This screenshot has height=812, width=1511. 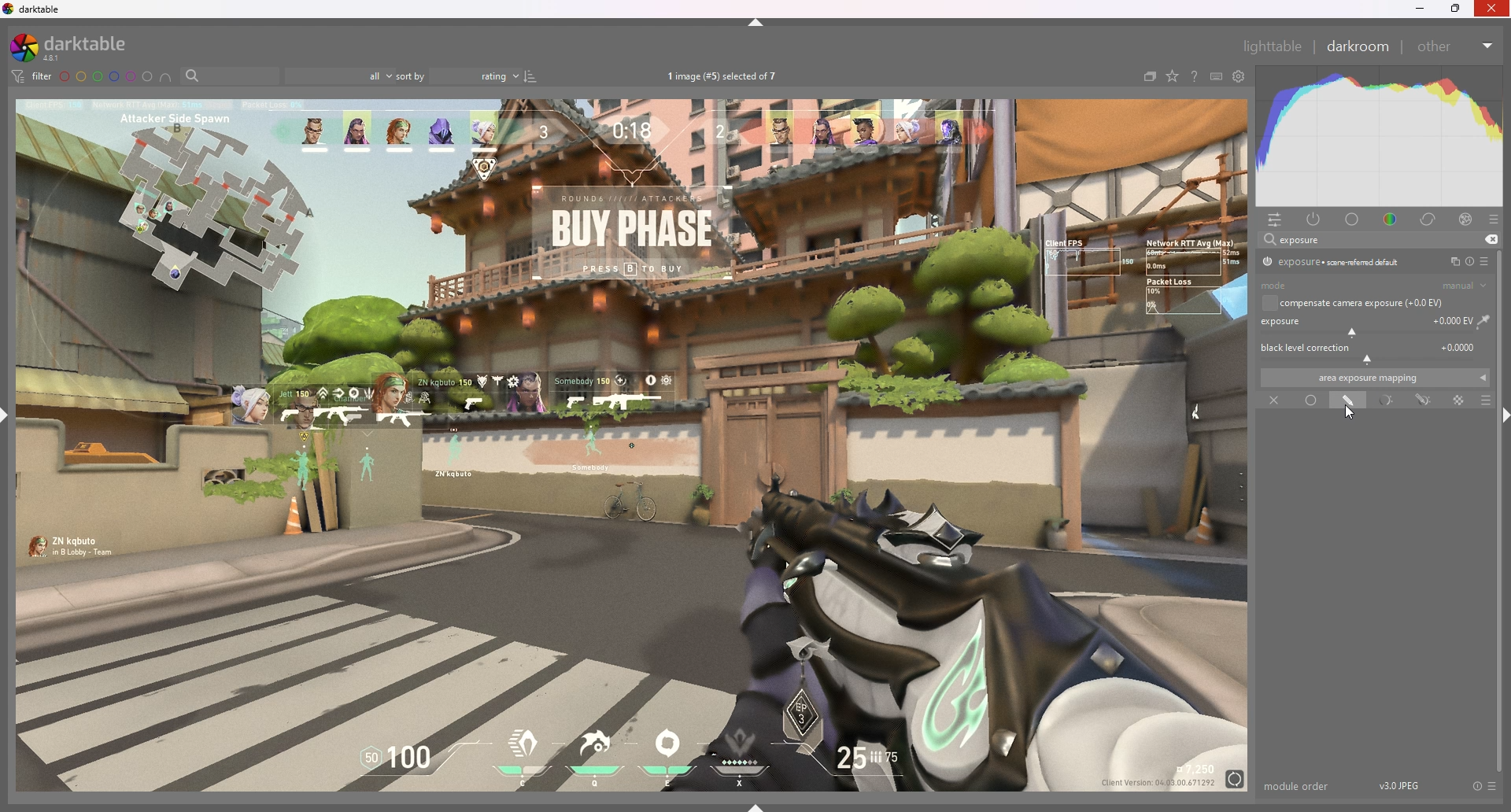 I want to click on images selected, so click(x=724, y=77).